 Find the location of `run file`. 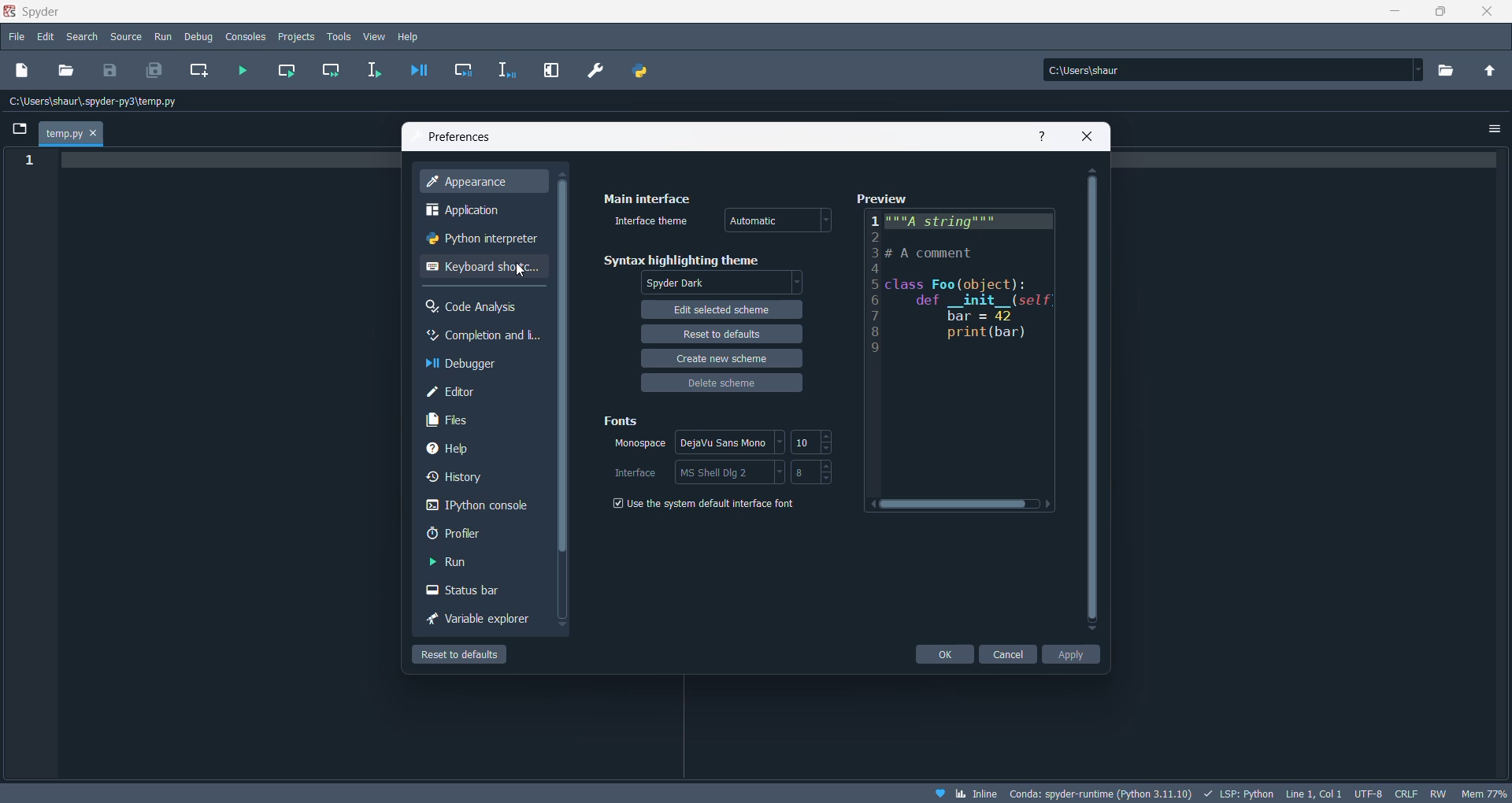

run file is located at coordinates (245, 72).